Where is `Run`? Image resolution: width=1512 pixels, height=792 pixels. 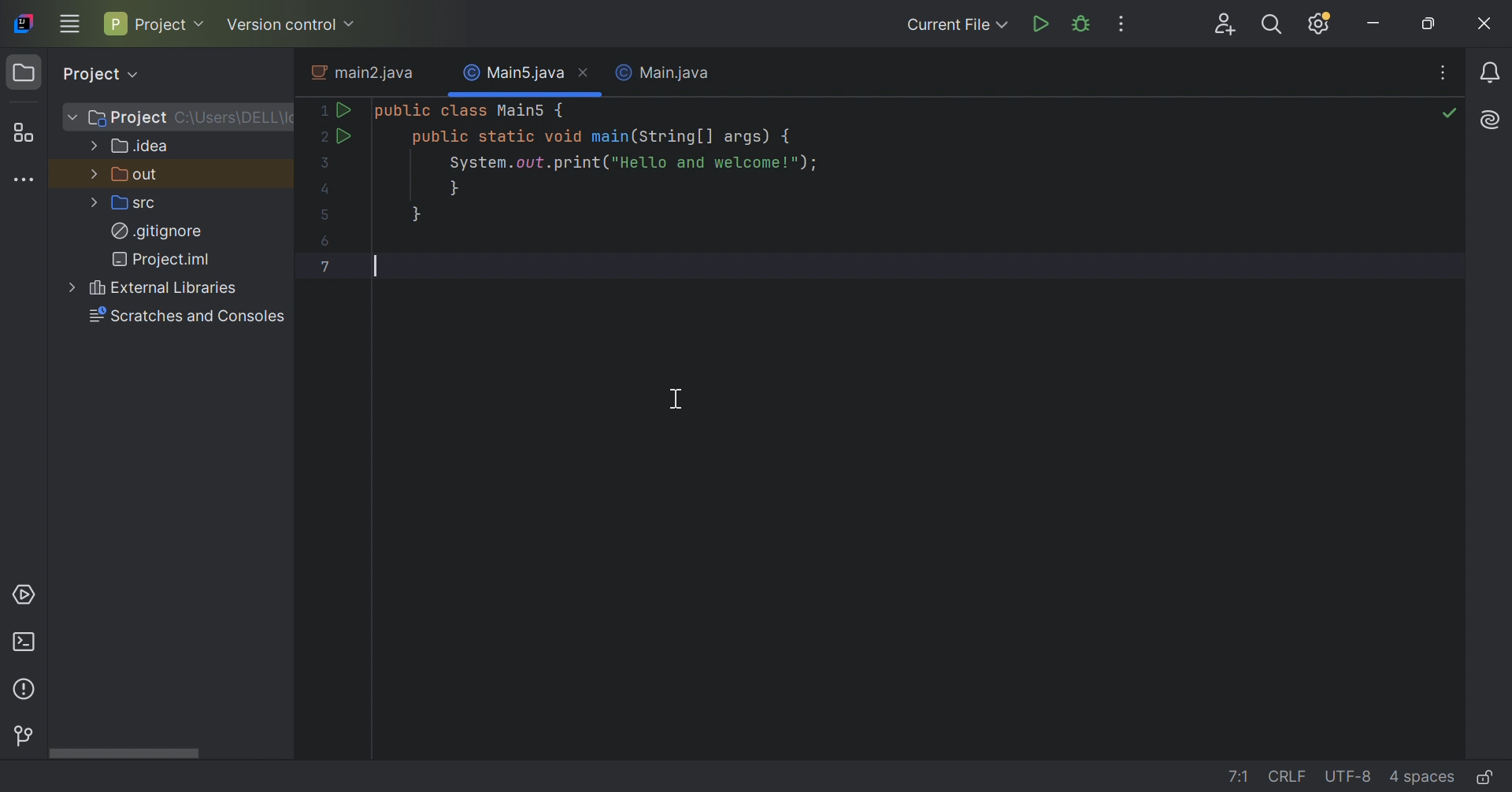 Run is located at coordinates (1043, 24).